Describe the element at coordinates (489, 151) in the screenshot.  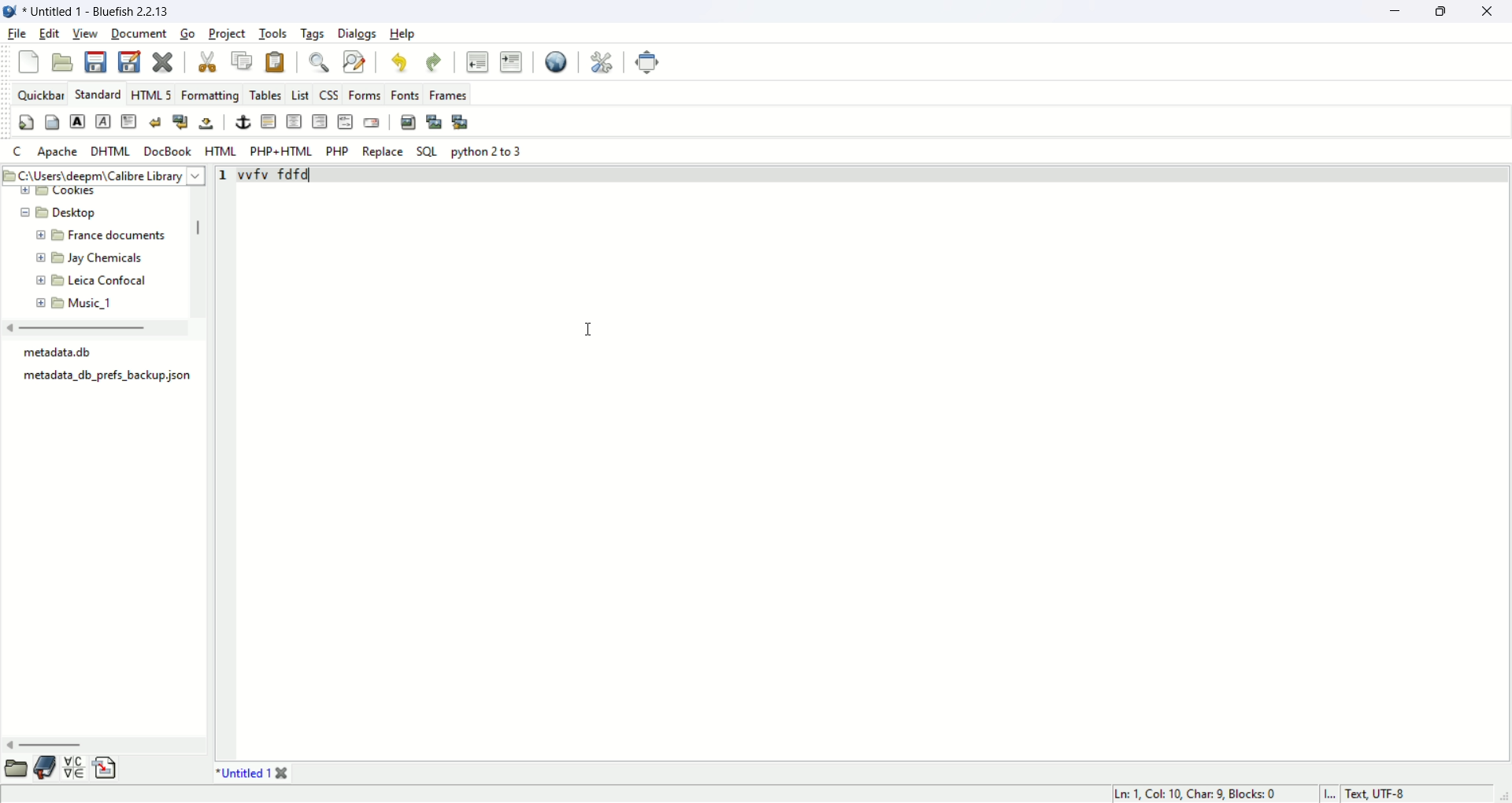
I see `python 2 to` at that location.